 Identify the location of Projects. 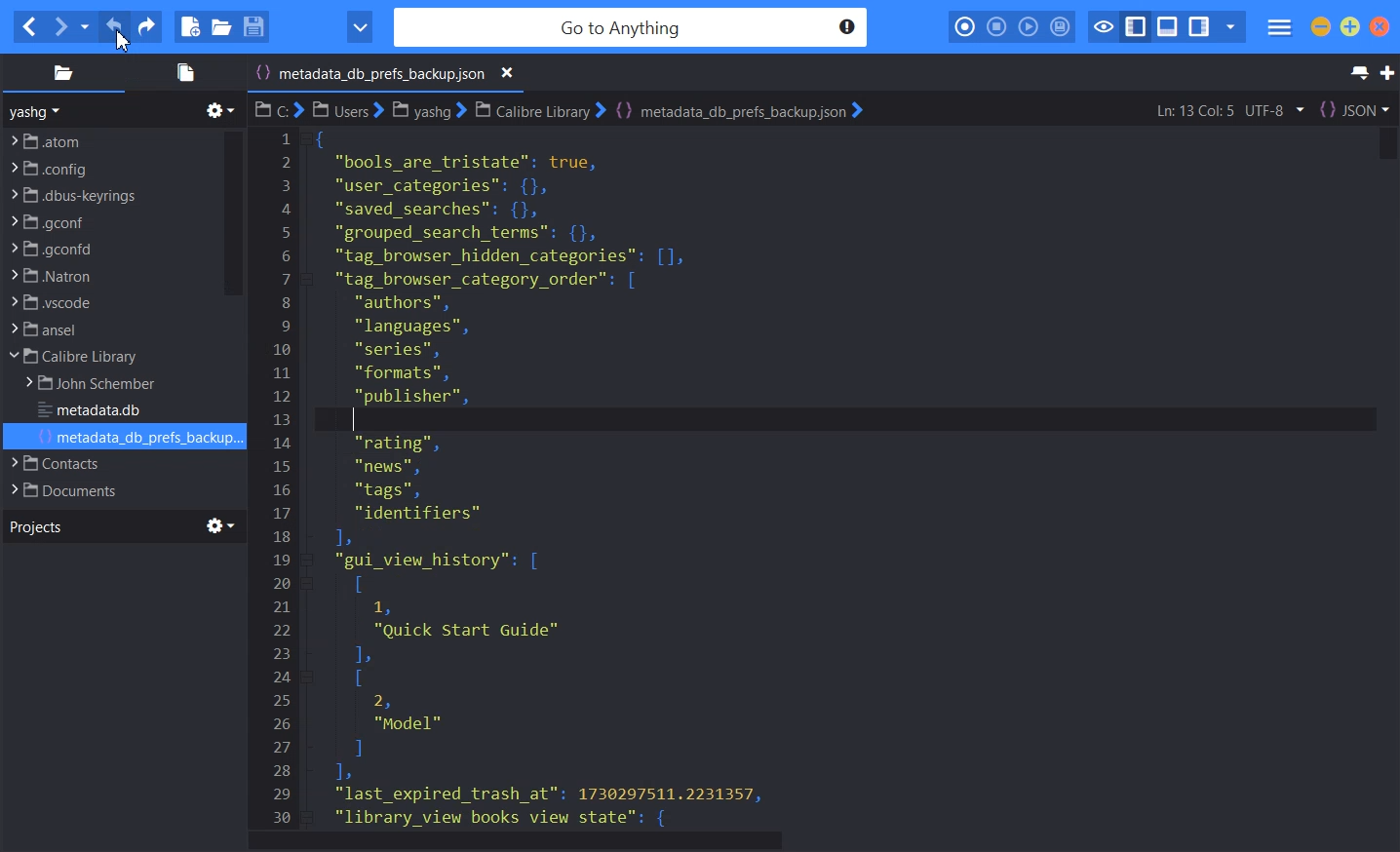
(35, 525).